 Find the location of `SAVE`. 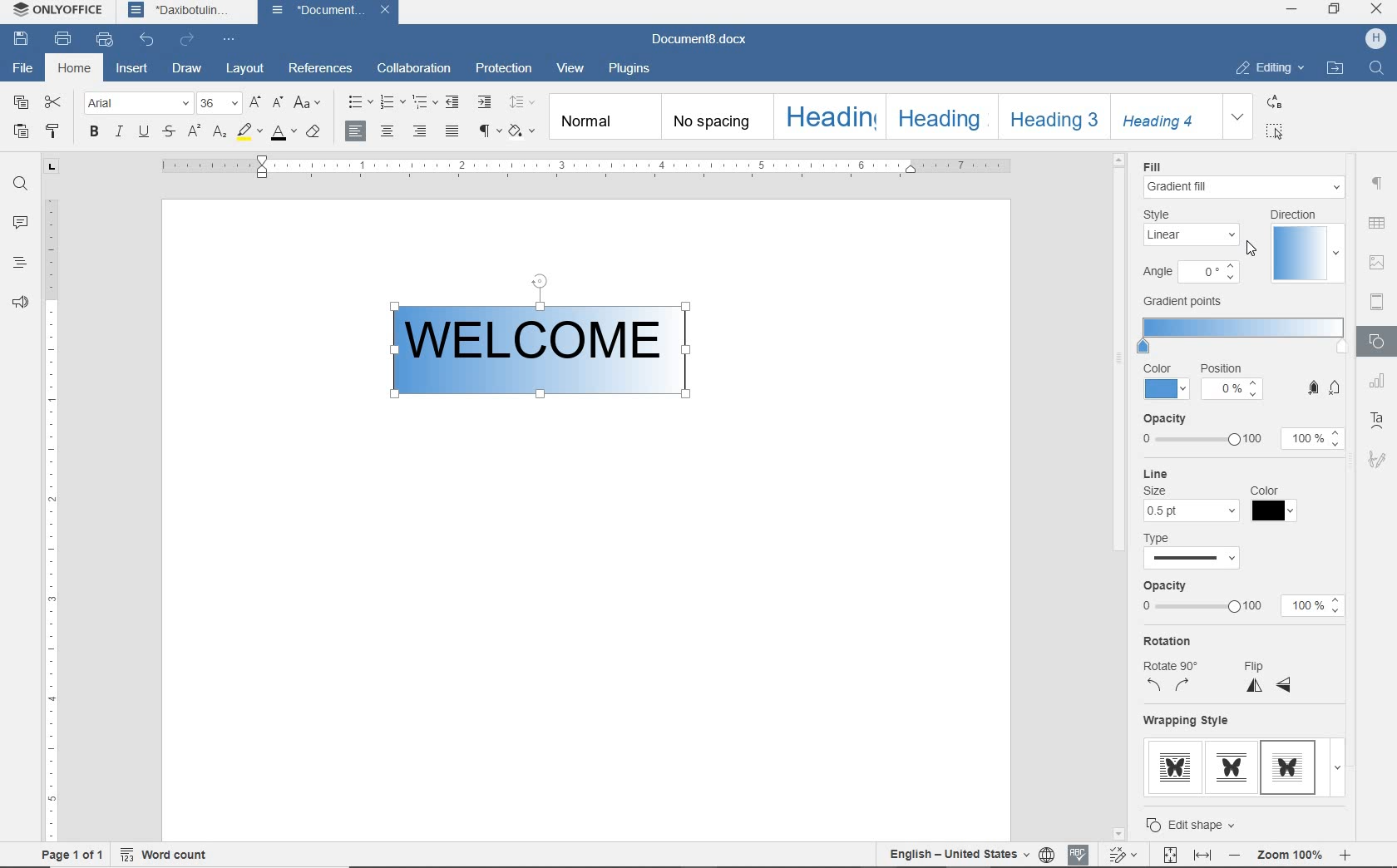

SAVE is located at coordinates (20, 37).